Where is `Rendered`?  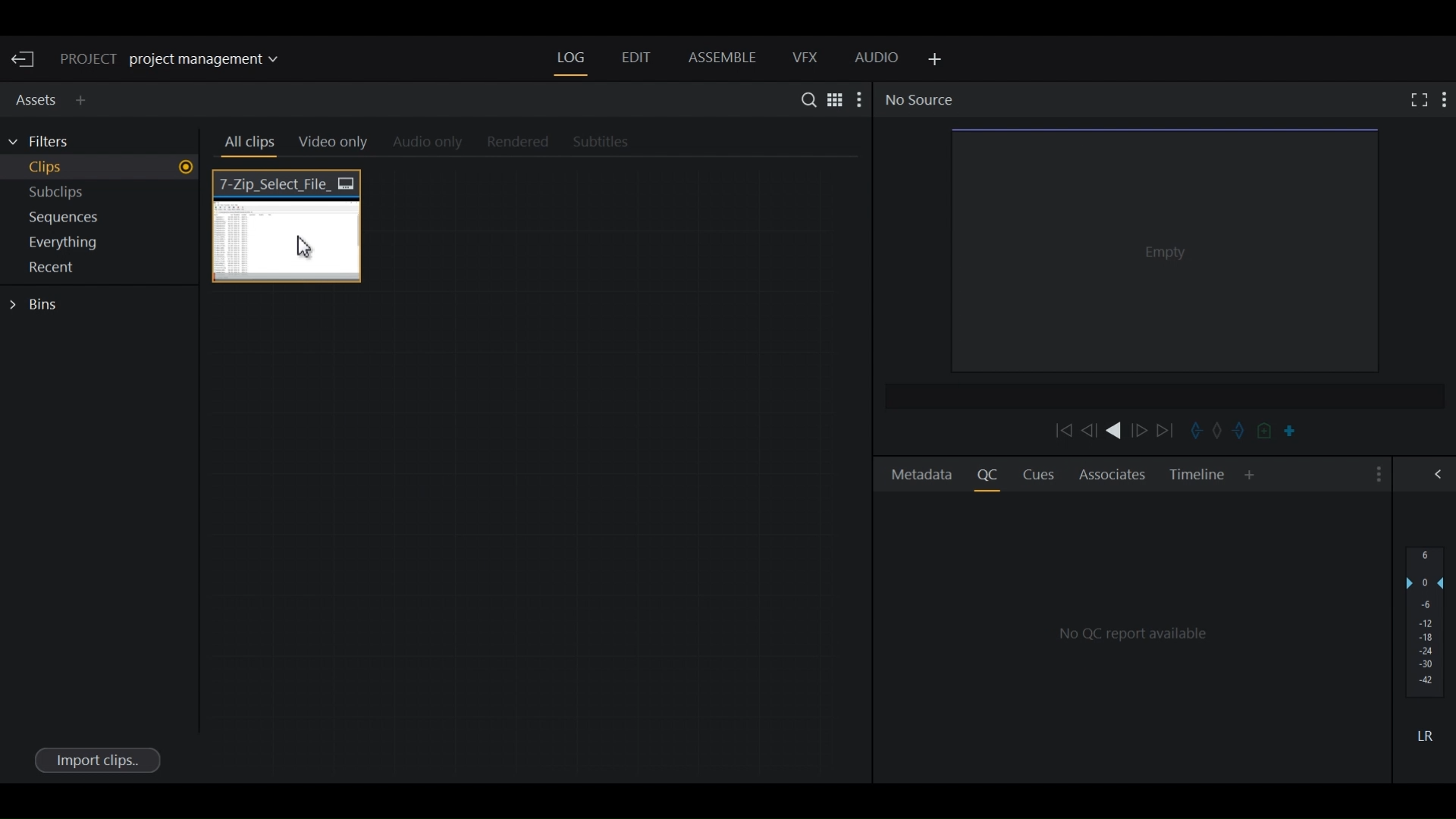 Rendered is located at coordinates (513, 143).